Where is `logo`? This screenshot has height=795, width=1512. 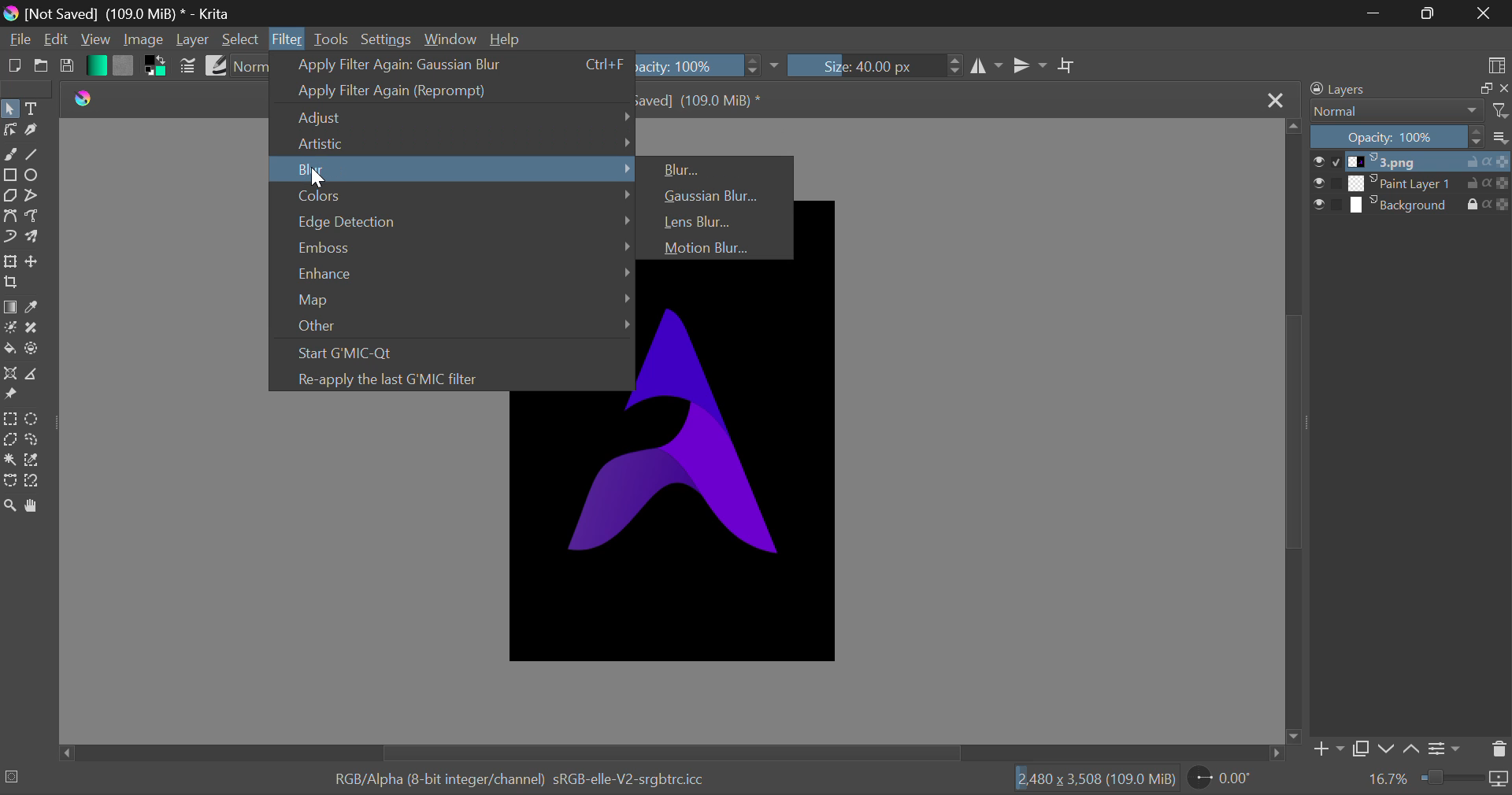
logo is located at coordinates (13, 15).